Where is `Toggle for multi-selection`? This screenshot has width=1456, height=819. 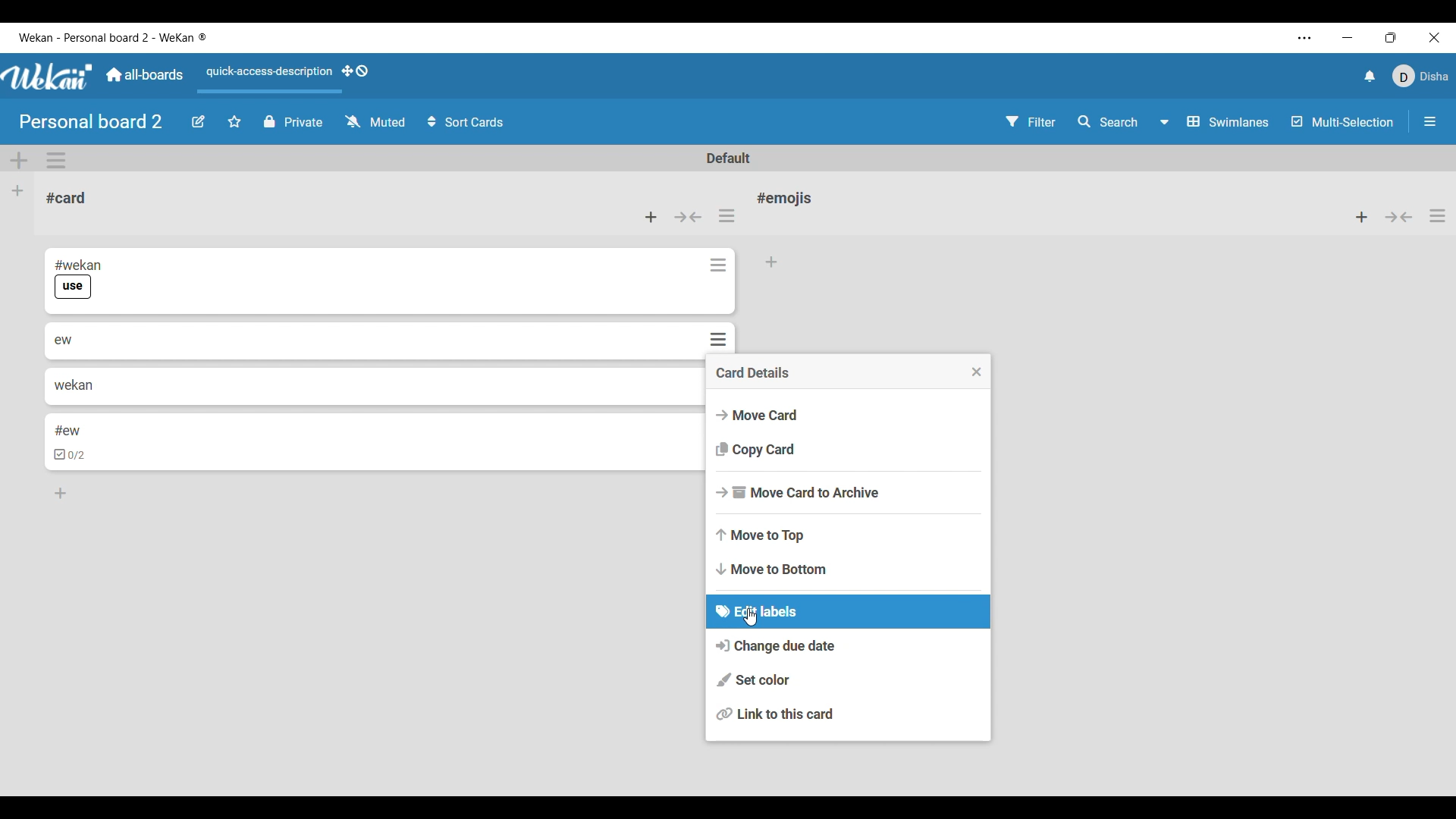 Toggle for multi-selection is located at coordinates (1343, 121).